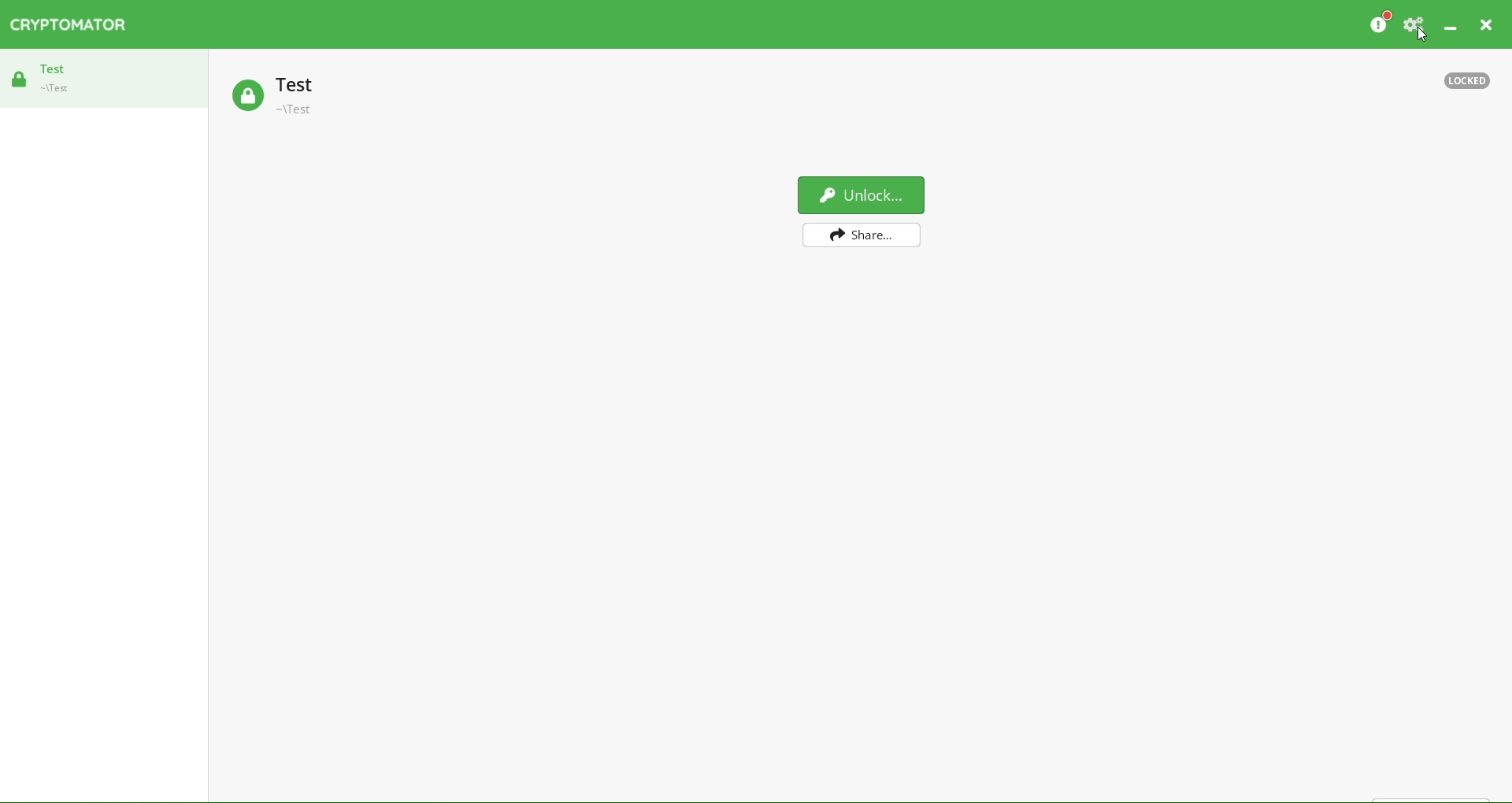 The width and height of the screenshot is (1512, 803). I want to click on Unlock, so click(863, 195).